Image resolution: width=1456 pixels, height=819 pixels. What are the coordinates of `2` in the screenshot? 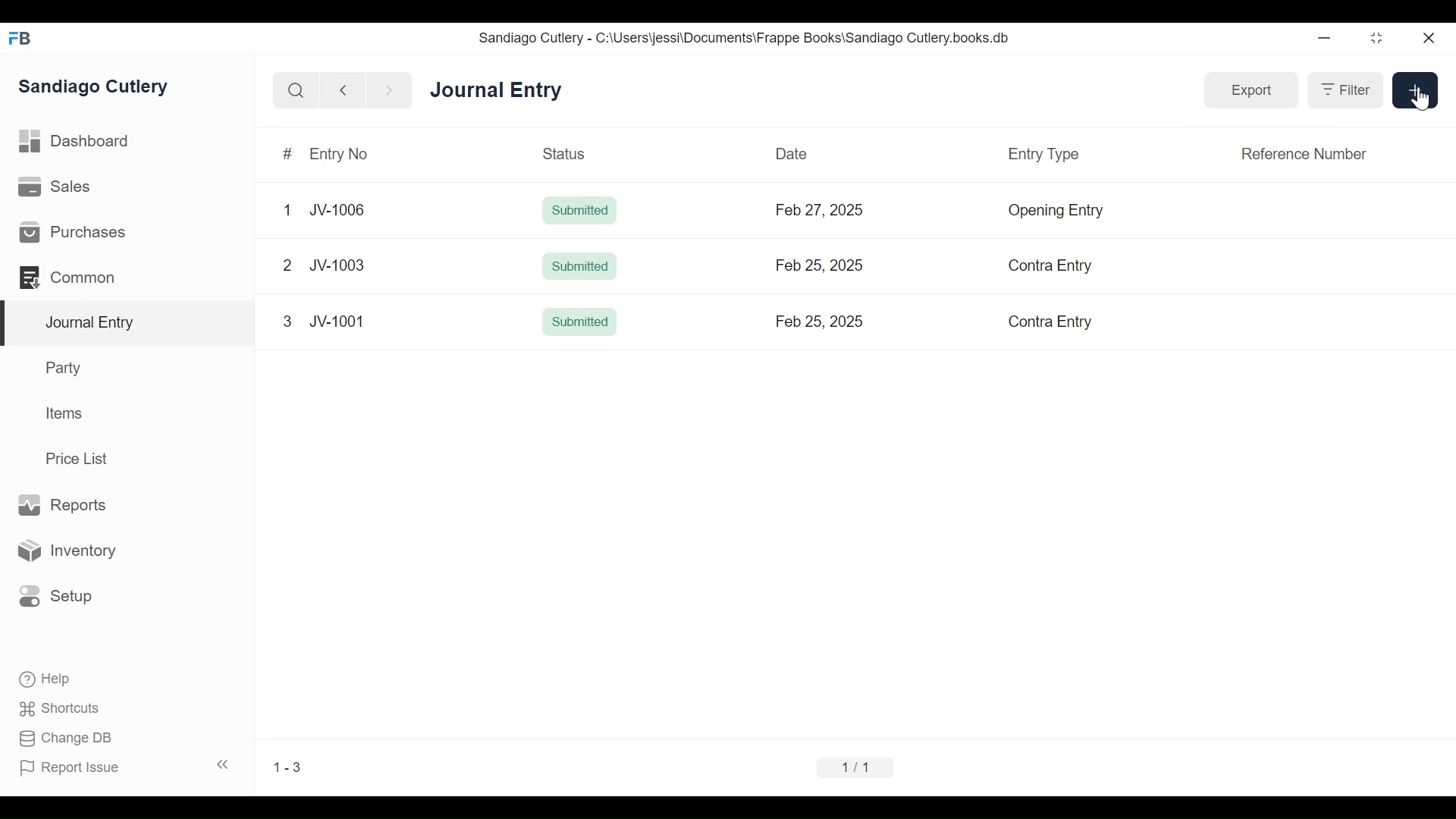 It's located at (287, 266).